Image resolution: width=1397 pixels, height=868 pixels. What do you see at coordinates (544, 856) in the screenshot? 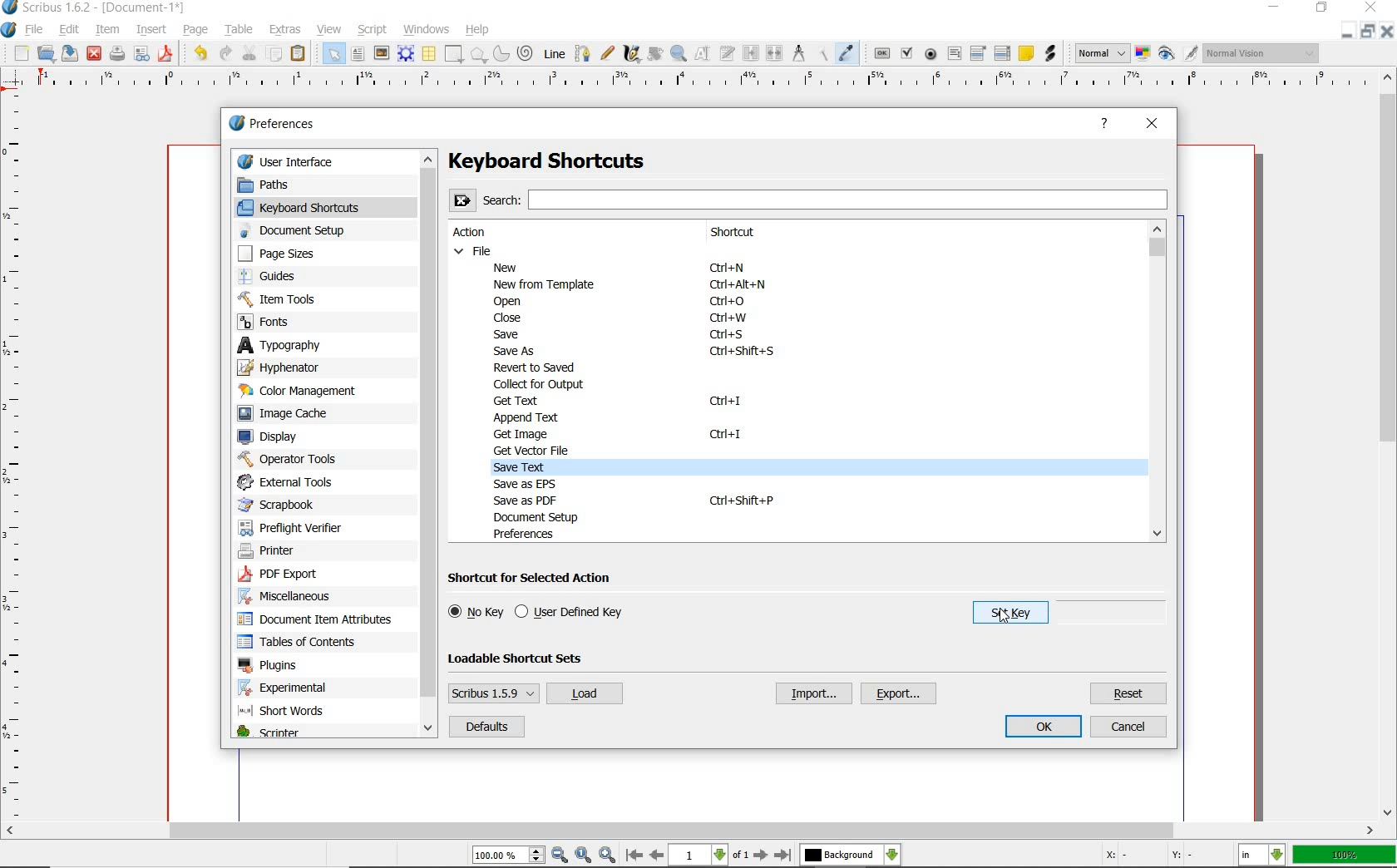
I see `zoom in/zoom to/zoom out` at bounding box center [544, 856].